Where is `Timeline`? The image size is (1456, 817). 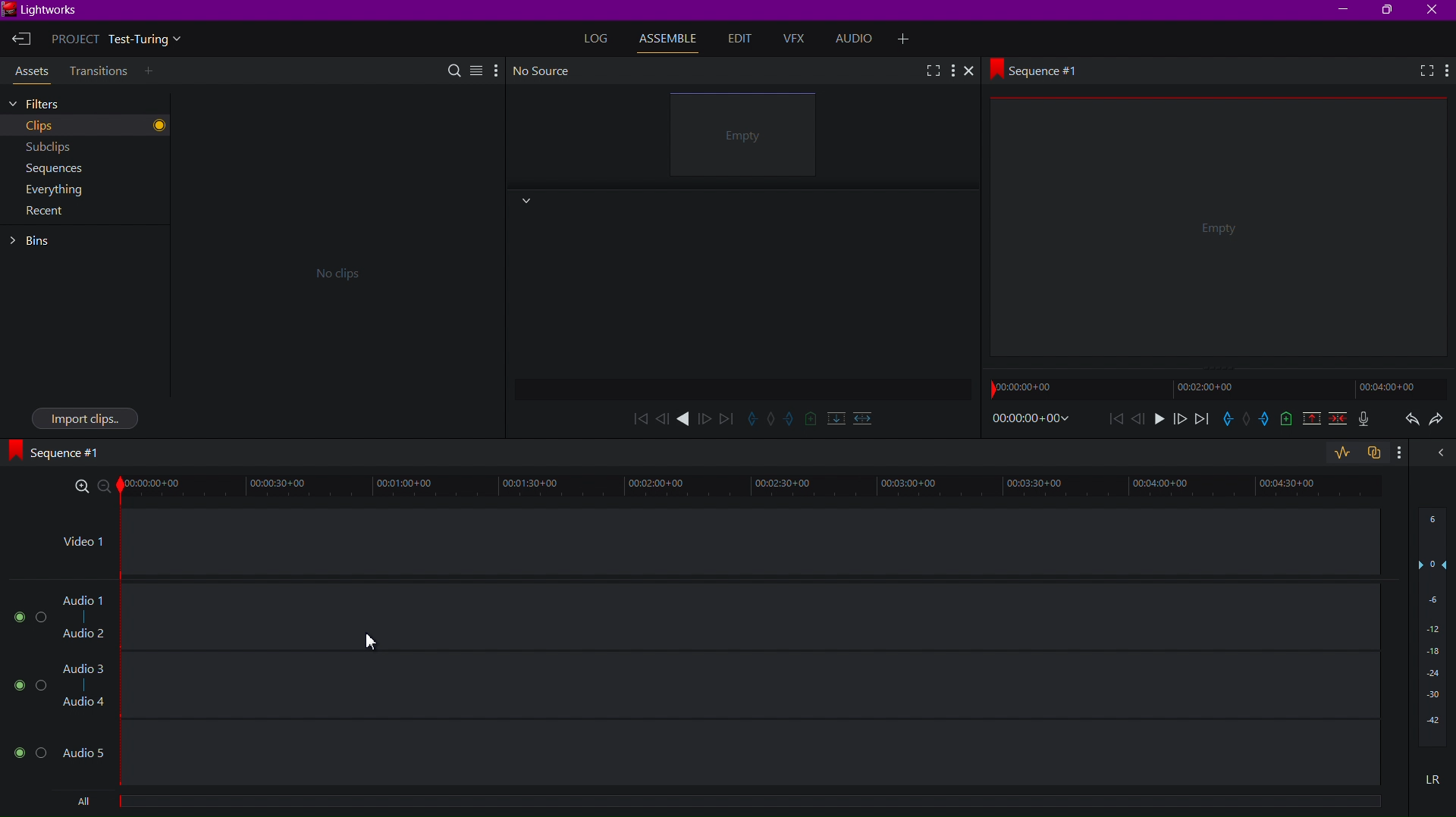 Timeline is located at coordinates (759, 488).